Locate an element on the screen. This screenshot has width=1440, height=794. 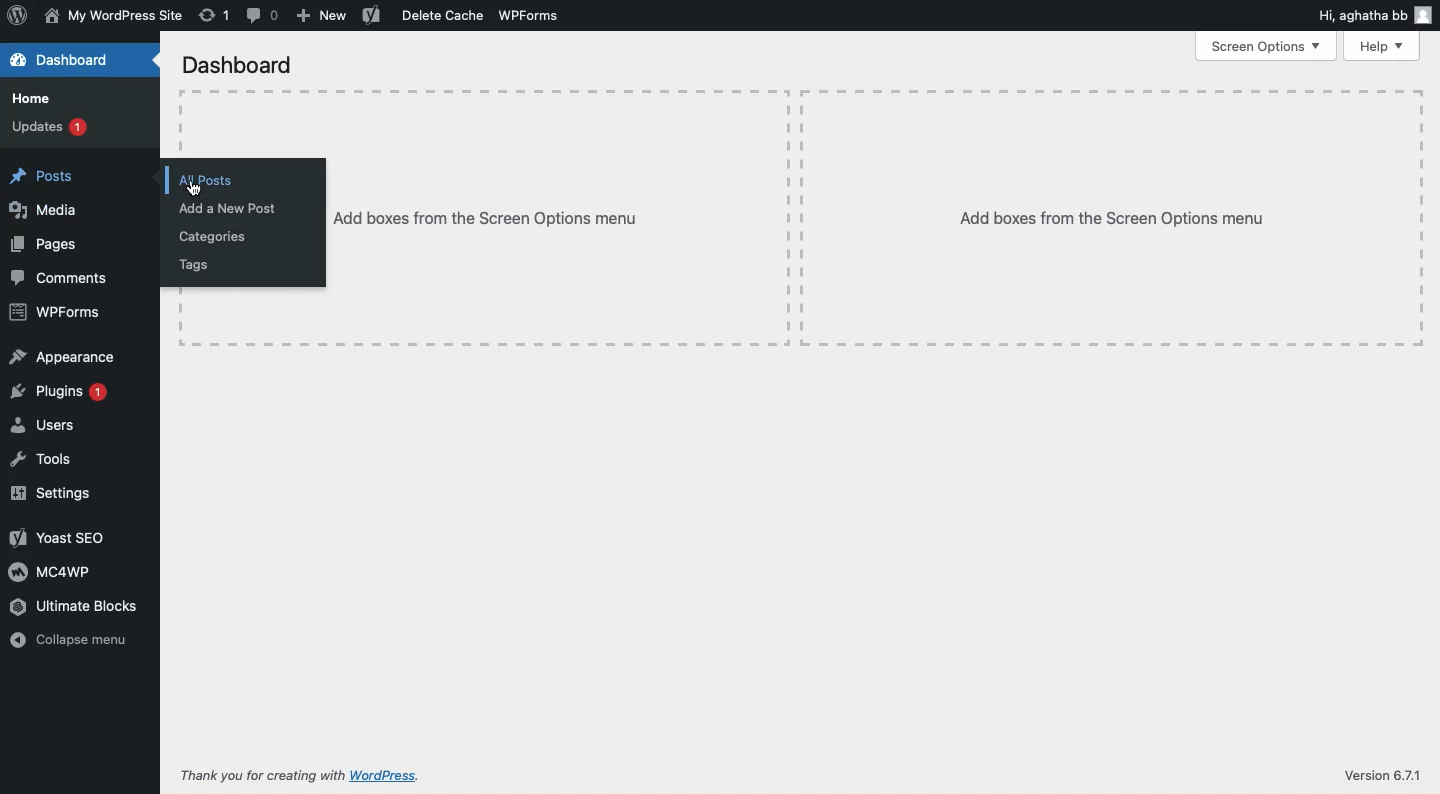
Updates is located at coordinates (49, 125).